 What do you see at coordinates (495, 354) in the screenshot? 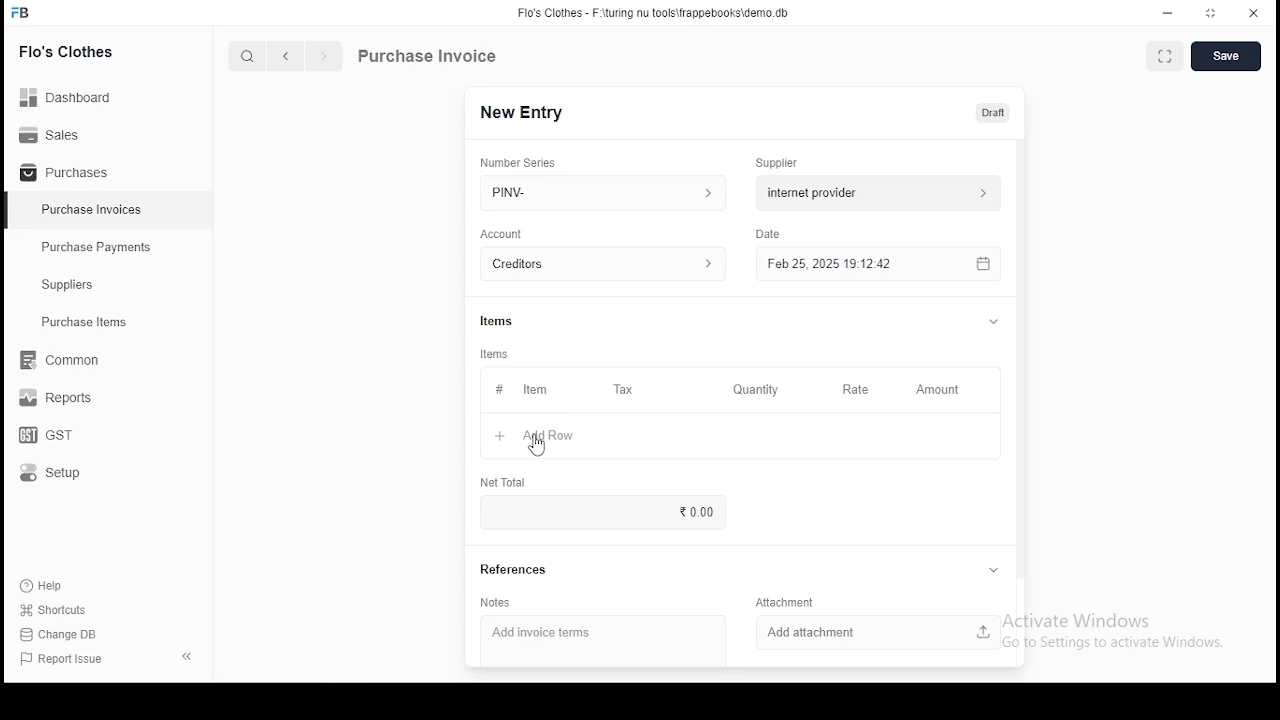
I see `Items` at bounding box center [495, 354].